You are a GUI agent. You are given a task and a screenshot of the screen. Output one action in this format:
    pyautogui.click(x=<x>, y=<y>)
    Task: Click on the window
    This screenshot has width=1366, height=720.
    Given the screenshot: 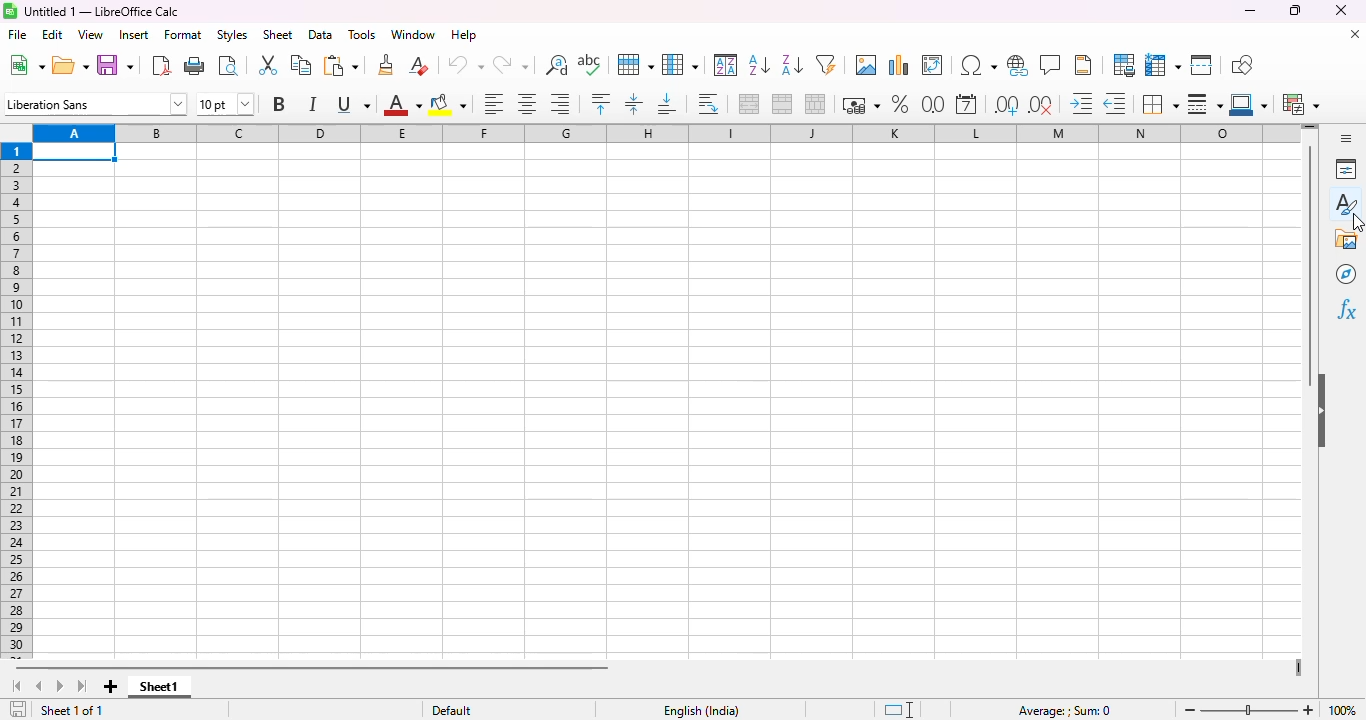 What is the action you would take?
    pyautogui.click(x=413, y=34)
    